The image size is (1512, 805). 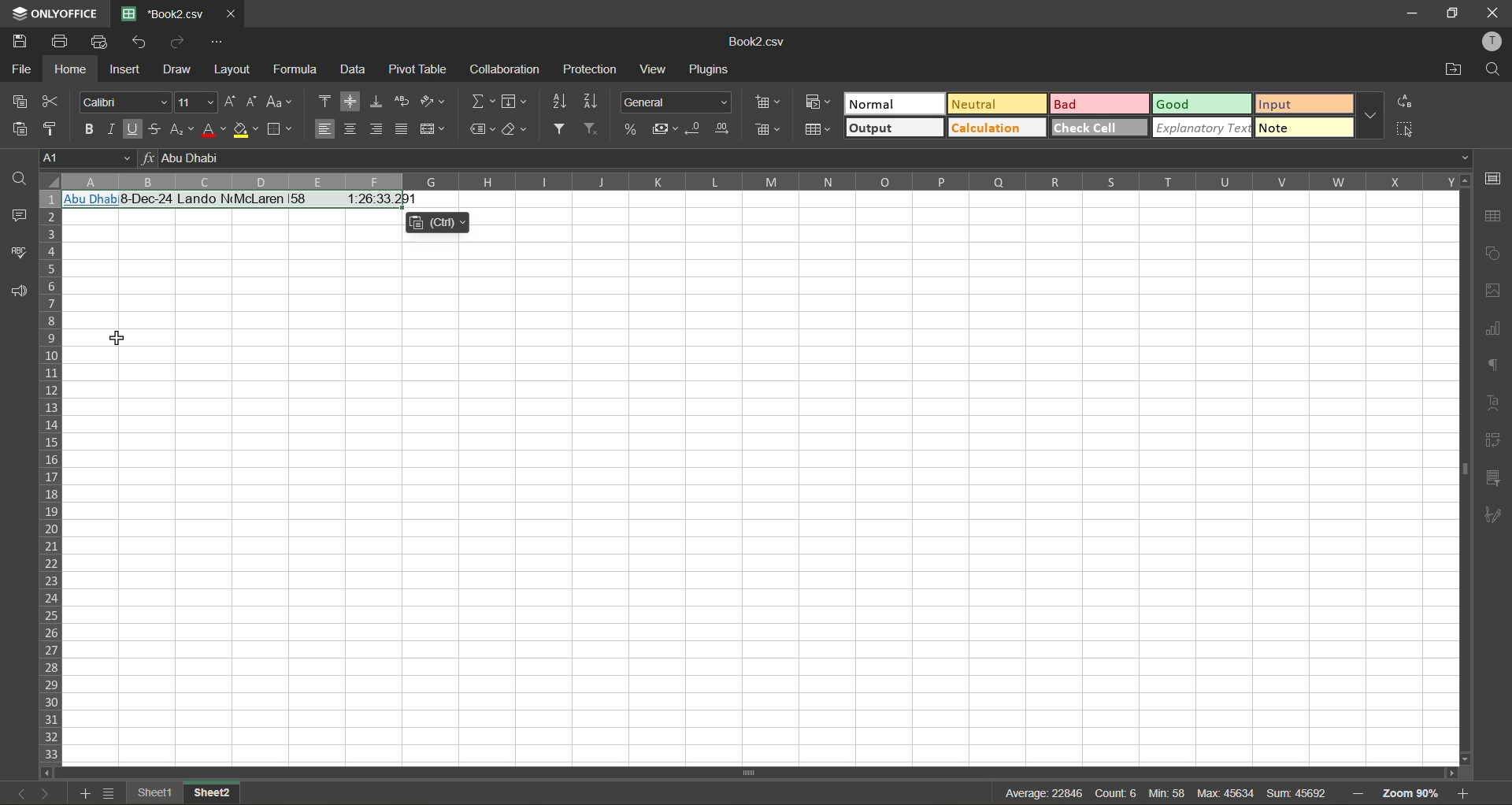 What do you see at coordinates (760, 499) in the screenshot?
I see `working sheet 2` at bounding box center [760, 499].